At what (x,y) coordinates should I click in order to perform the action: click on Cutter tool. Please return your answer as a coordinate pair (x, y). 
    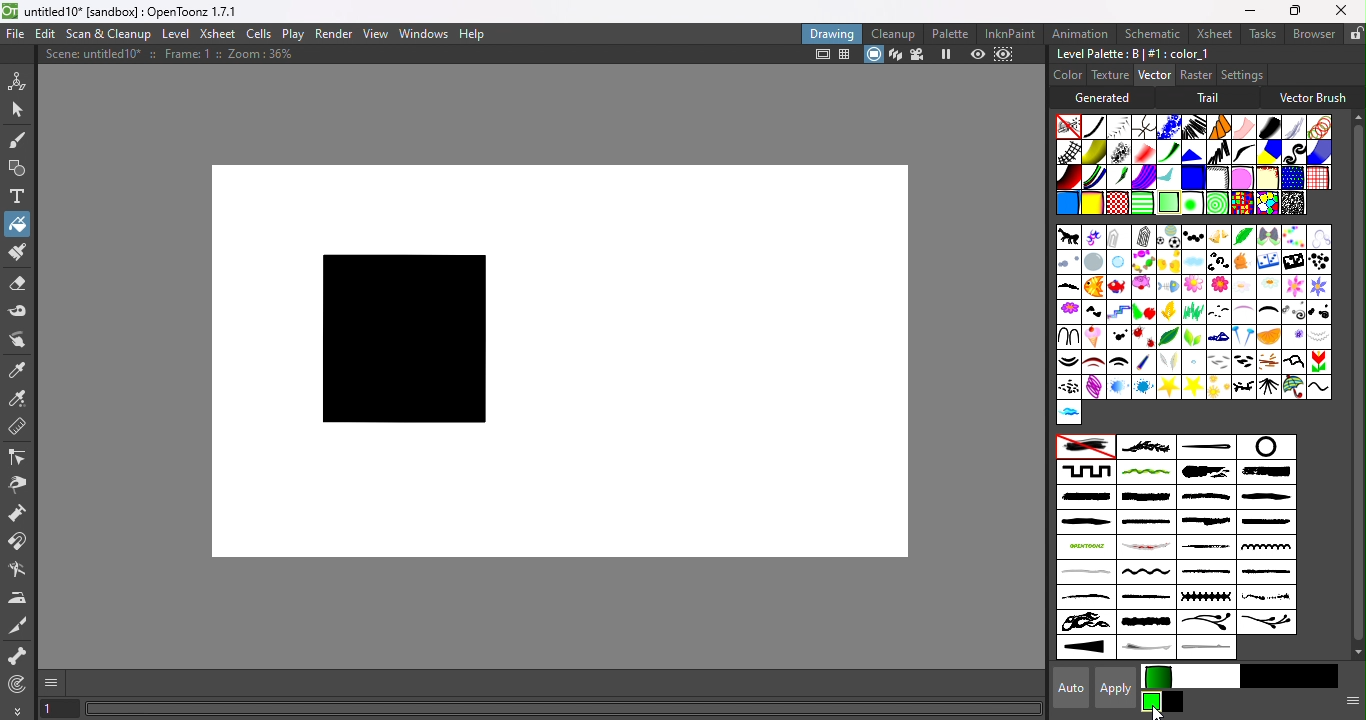
    Looking at the image, I should click on (22, 626).